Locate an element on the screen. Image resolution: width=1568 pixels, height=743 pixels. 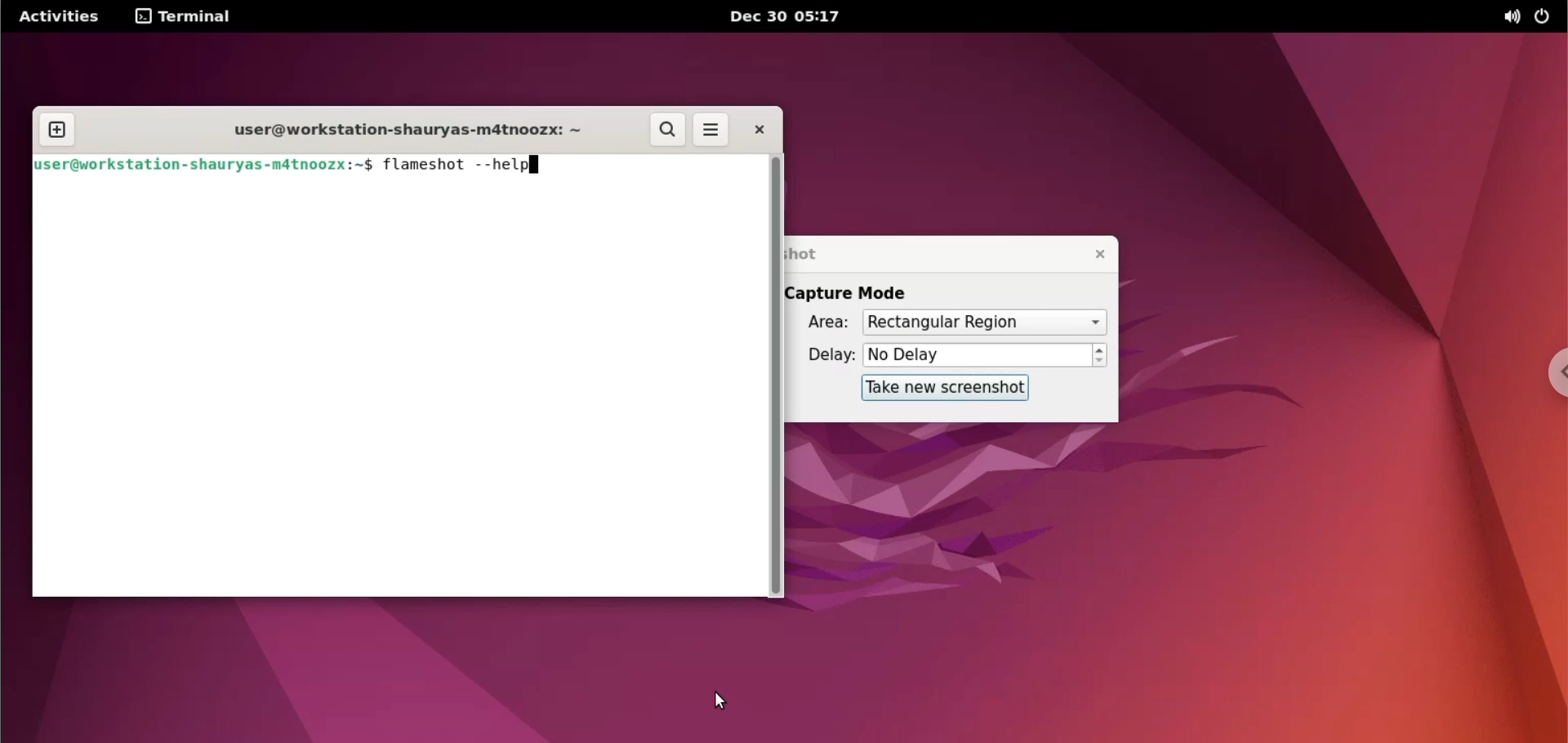
Activities is located at coordinates (62, 17).